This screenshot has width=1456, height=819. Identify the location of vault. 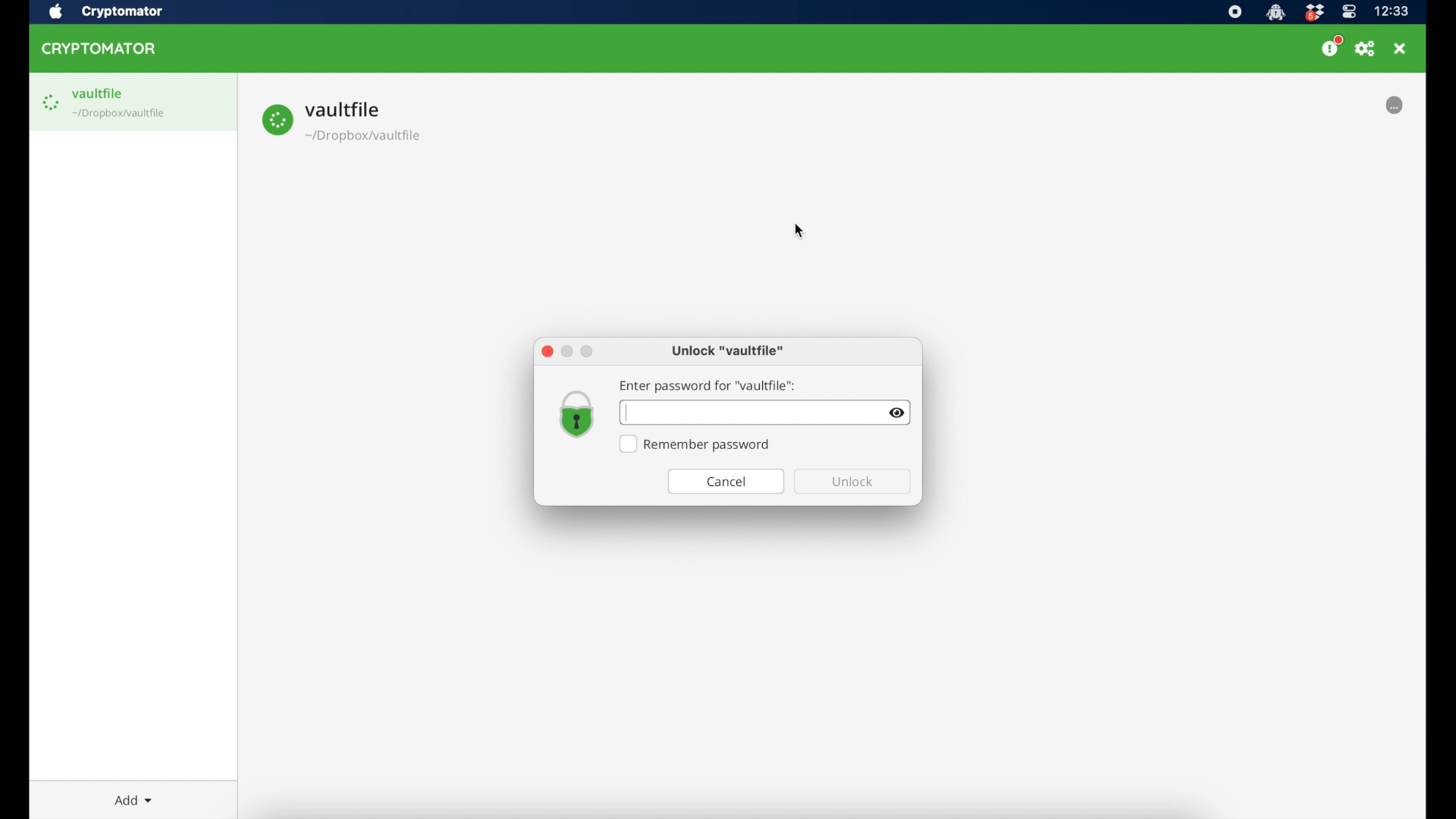
(133, 102).